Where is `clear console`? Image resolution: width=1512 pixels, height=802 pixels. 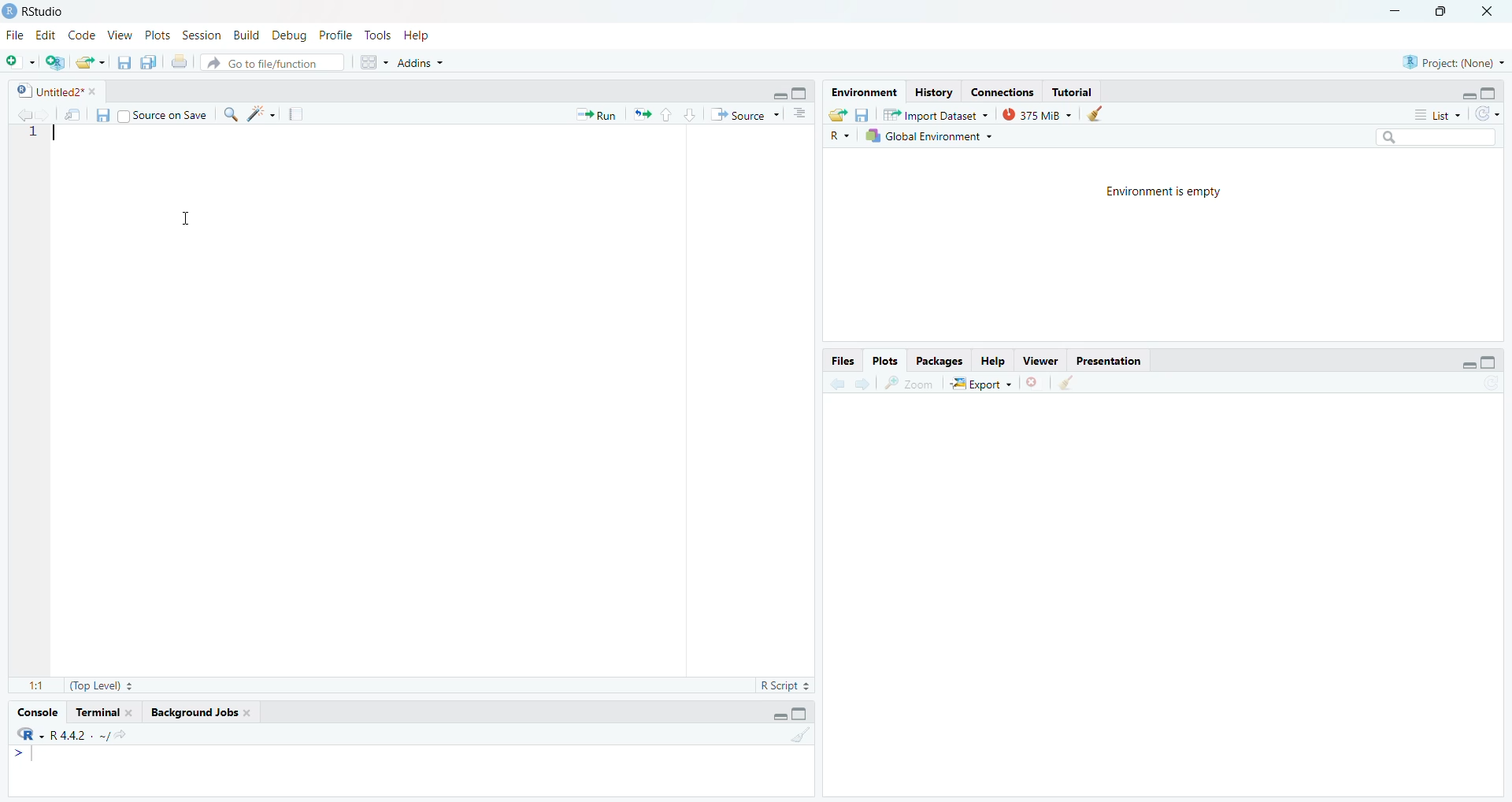
clear console is located at coordinates (802, 737).